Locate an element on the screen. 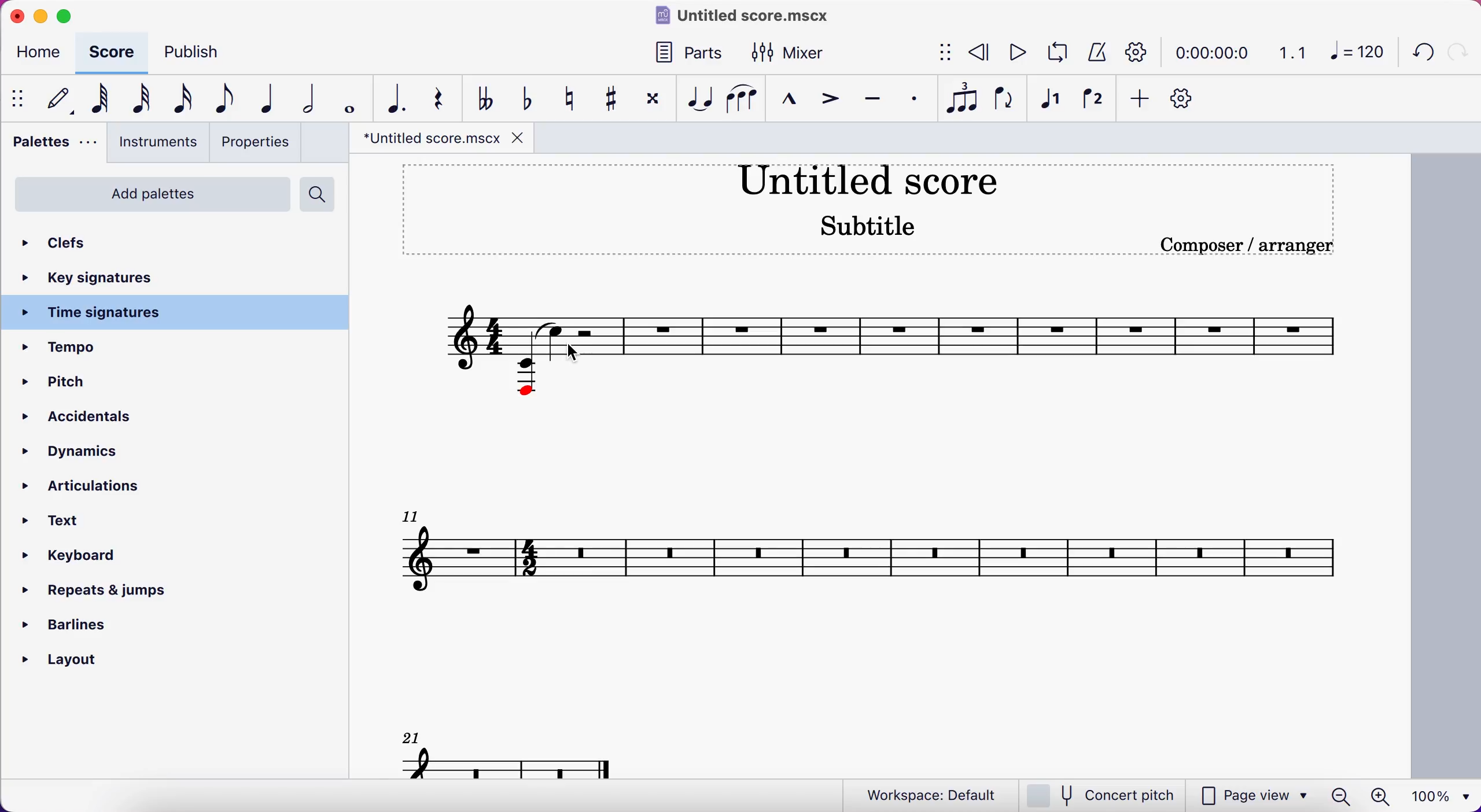 Image resolution: width=1481 pixels, height=812 pixels. 100% is located at coordinates (1442, 796).